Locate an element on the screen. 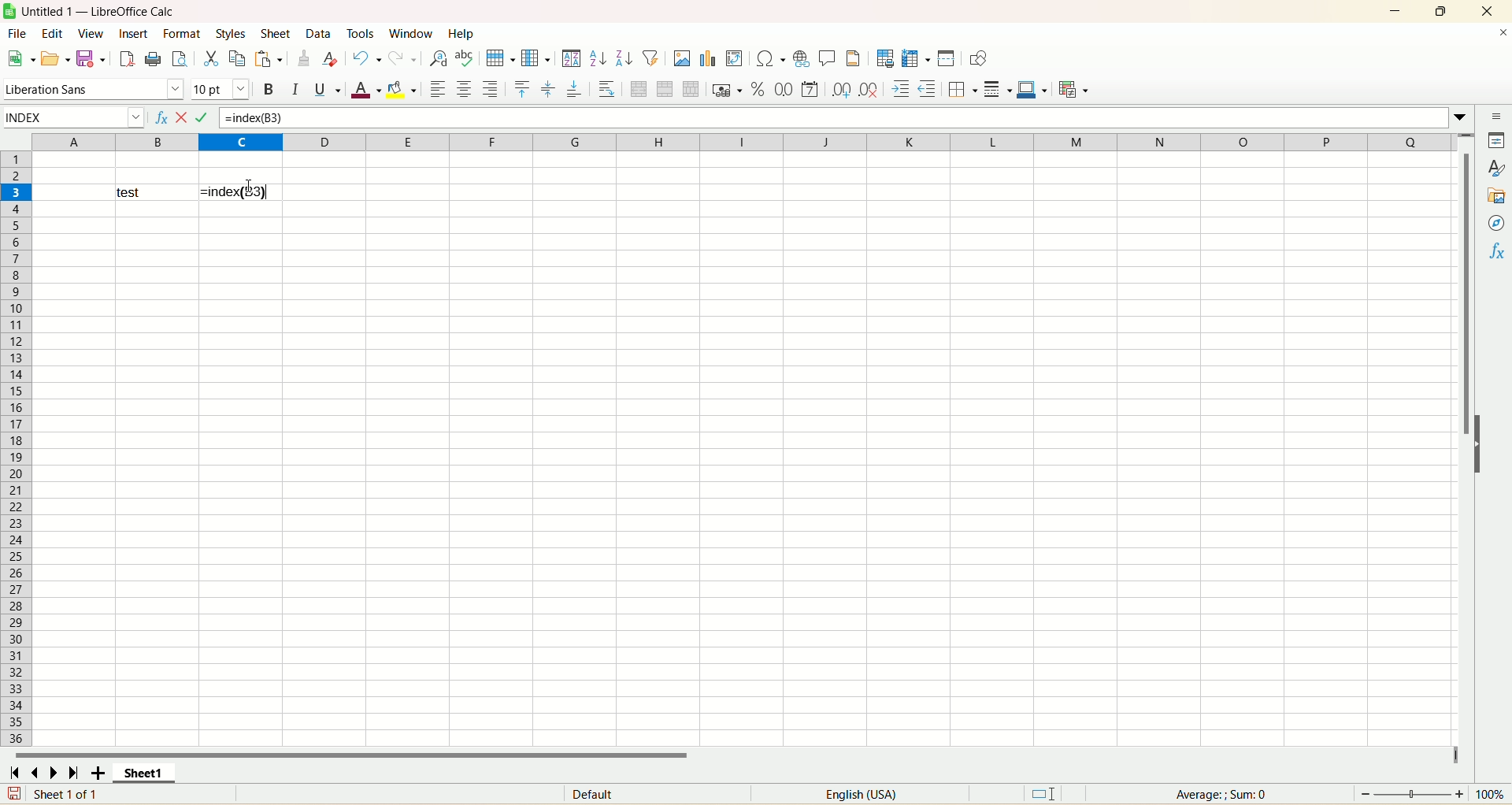  font size is located at coordinates (220, 90).